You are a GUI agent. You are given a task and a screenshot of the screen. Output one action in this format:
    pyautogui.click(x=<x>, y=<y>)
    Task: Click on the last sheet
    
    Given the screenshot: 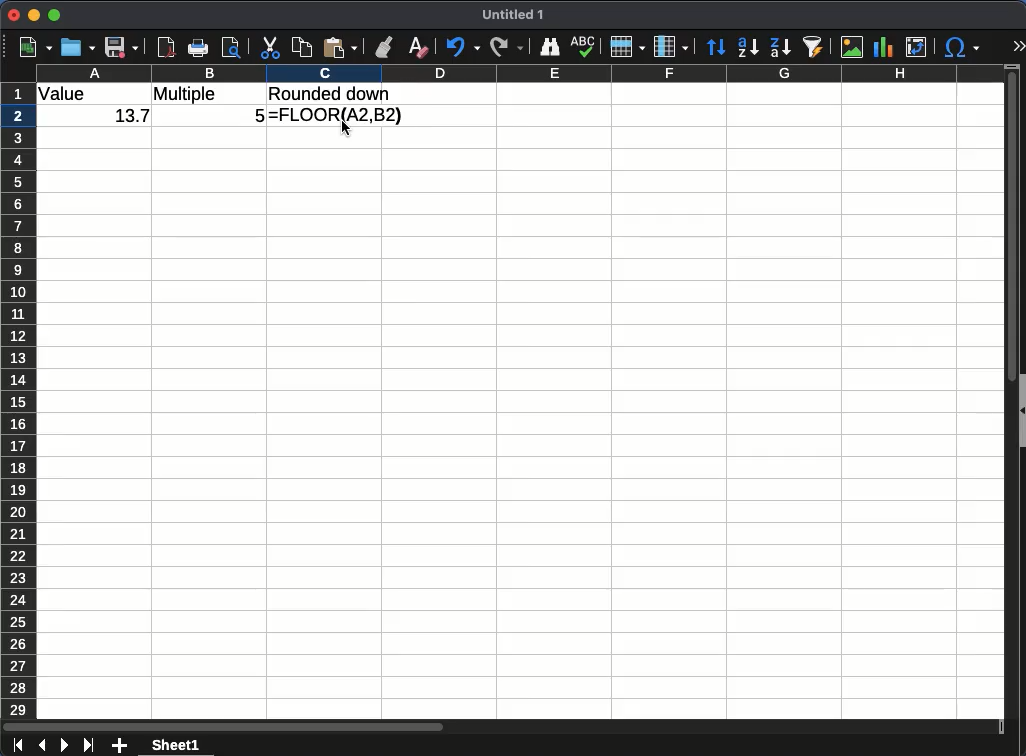 What is the action you would take?
    pyautogui.click(x=88, y=745)
    